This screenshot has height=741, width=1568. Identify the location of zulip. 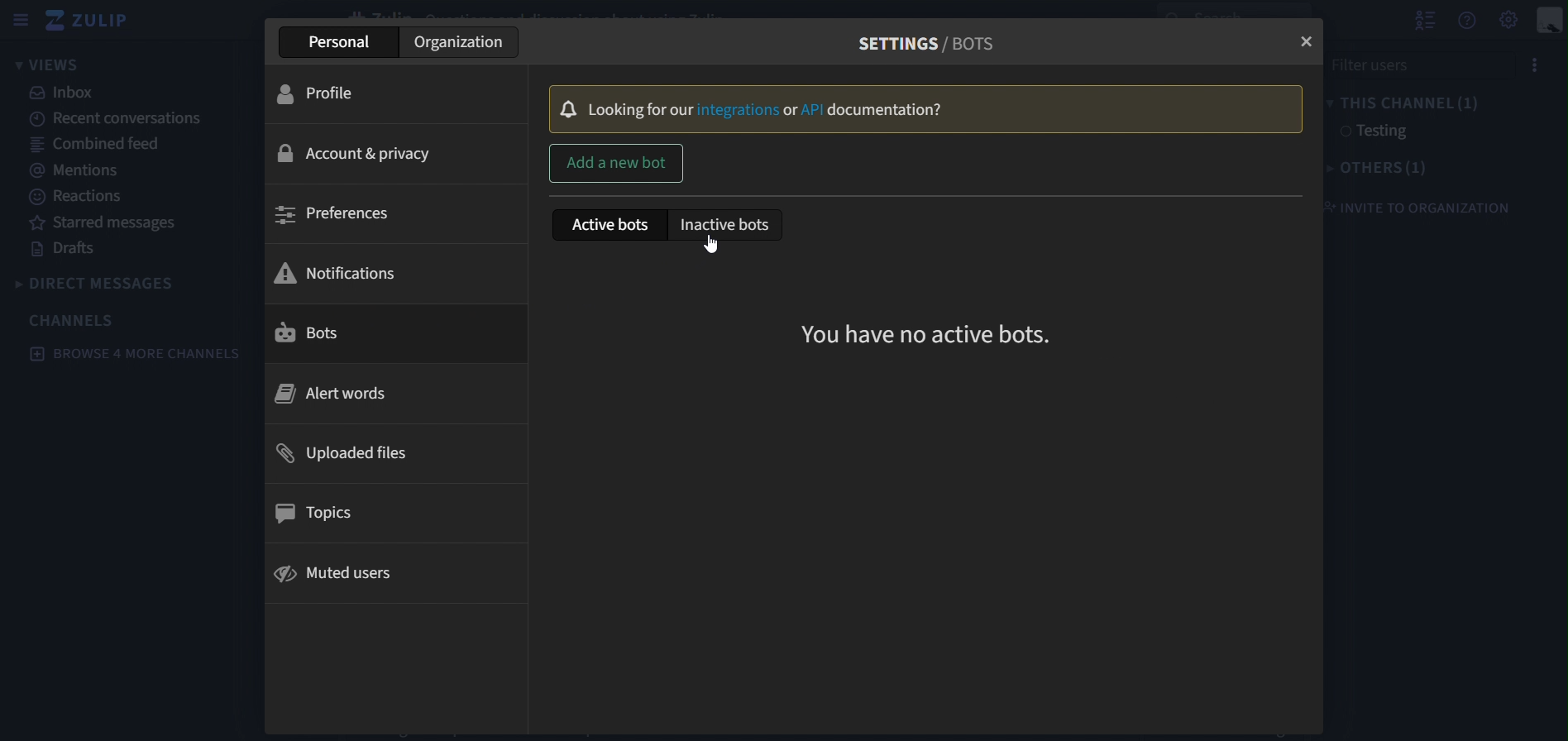
(95, 22).